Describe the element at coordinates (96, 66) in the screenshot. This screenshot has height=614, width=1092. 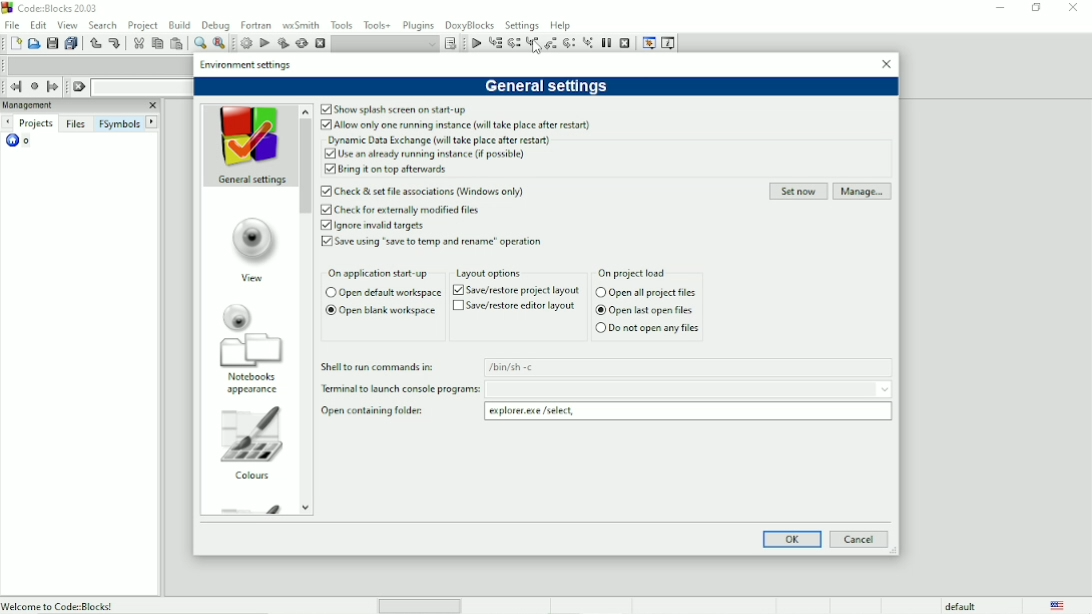
I see `Drop down` at that location.